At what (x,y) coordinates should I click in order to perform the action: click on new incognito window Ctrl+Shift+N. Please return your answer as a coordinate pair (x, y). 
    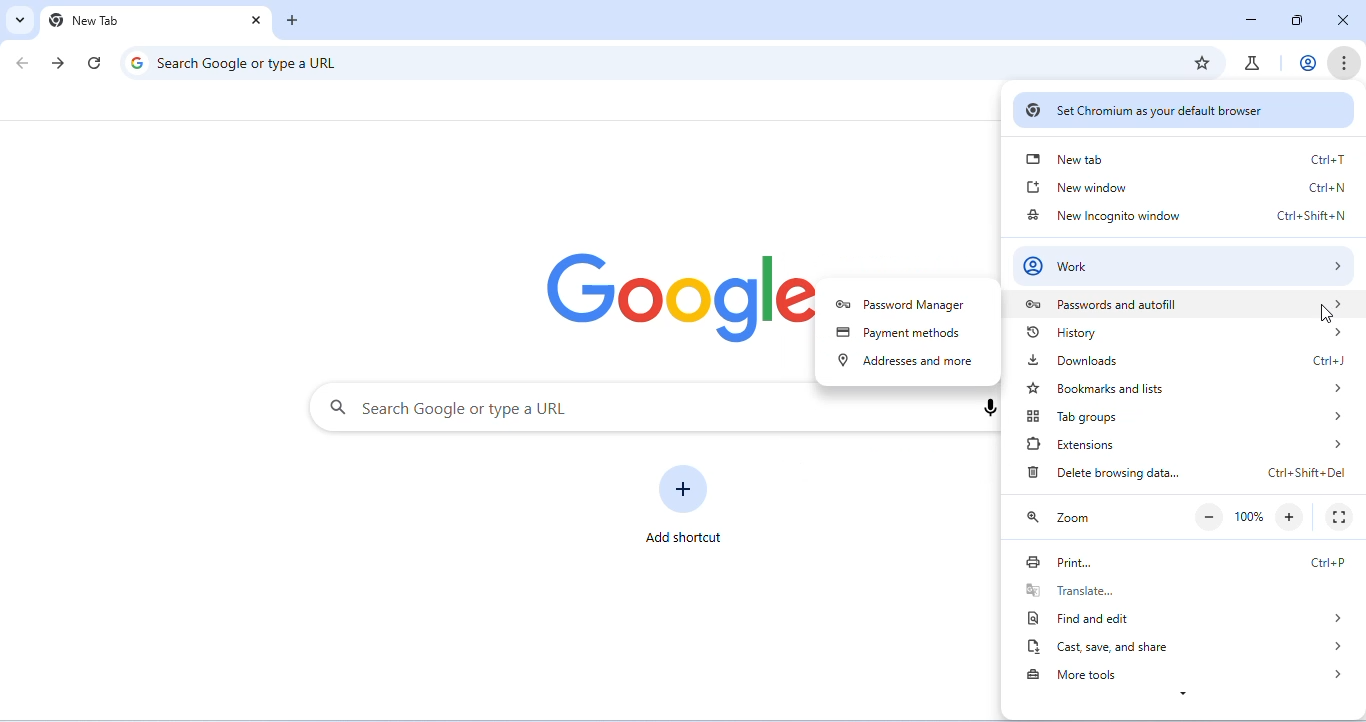
    Looking at the image, I should click on (1185, 216).